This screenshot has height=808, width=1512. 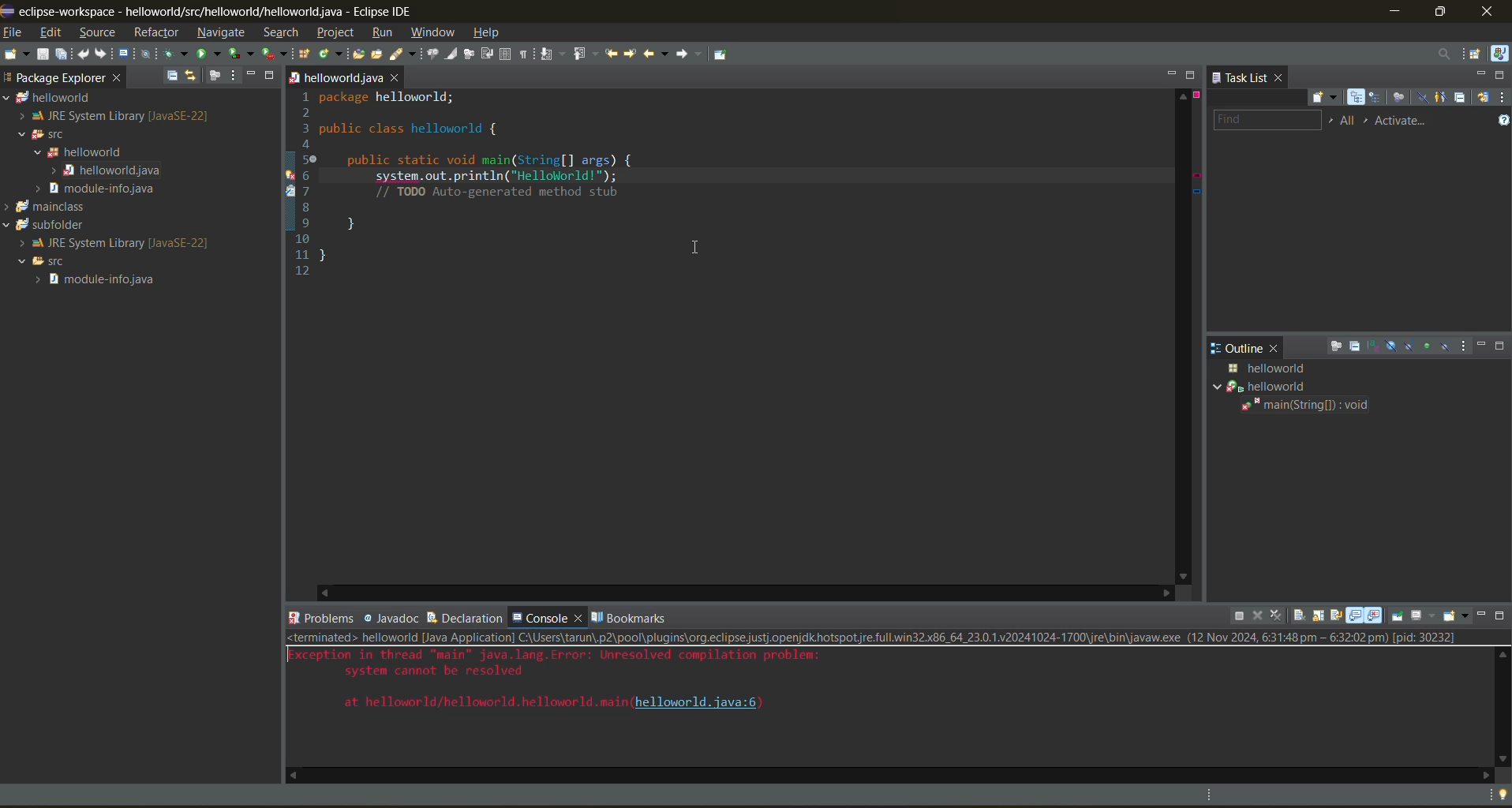 I want to click on refractor, so click(x=155, y=31).